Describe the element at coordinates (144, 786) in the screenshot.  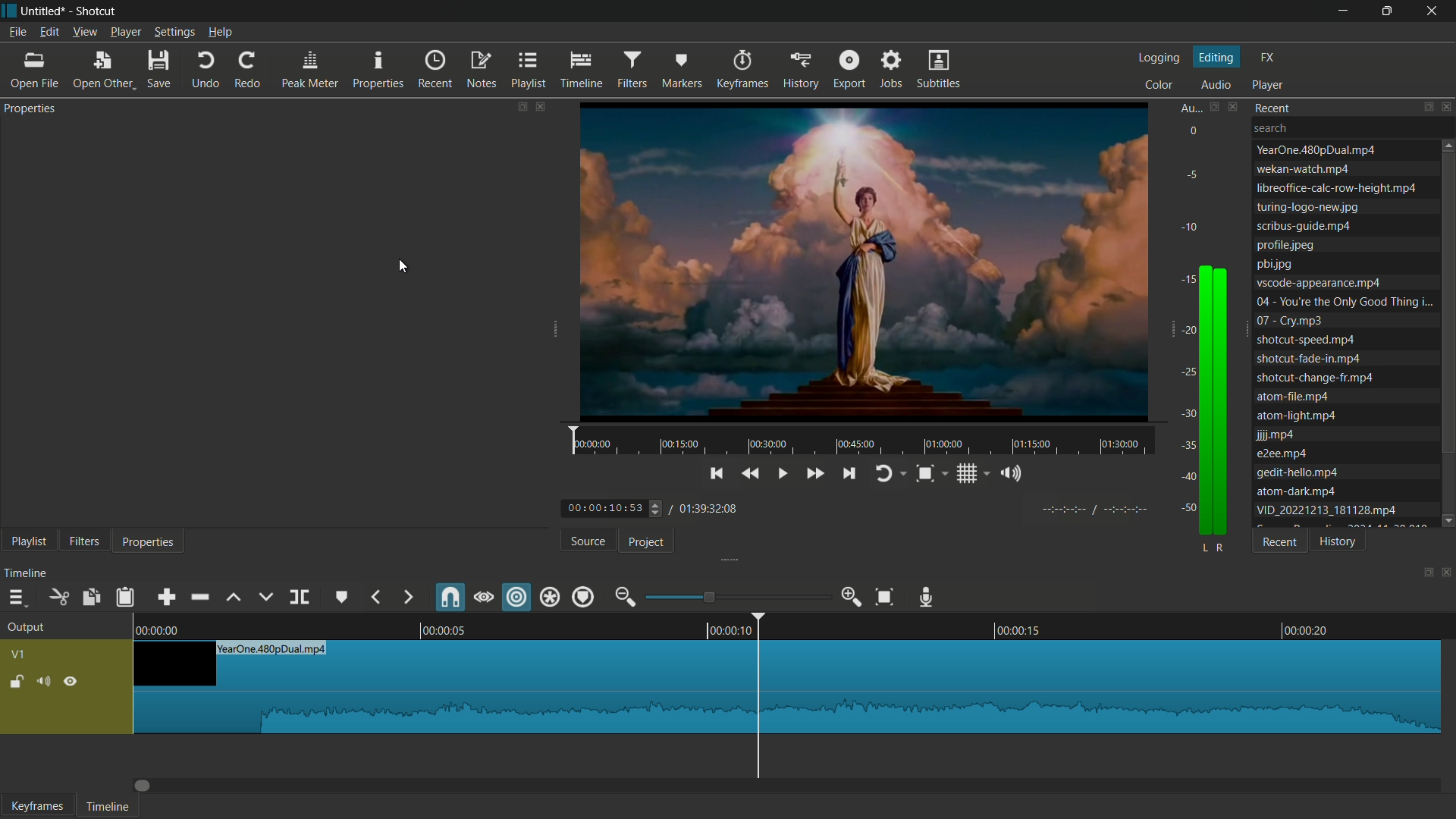
I see `move forward` at that location.